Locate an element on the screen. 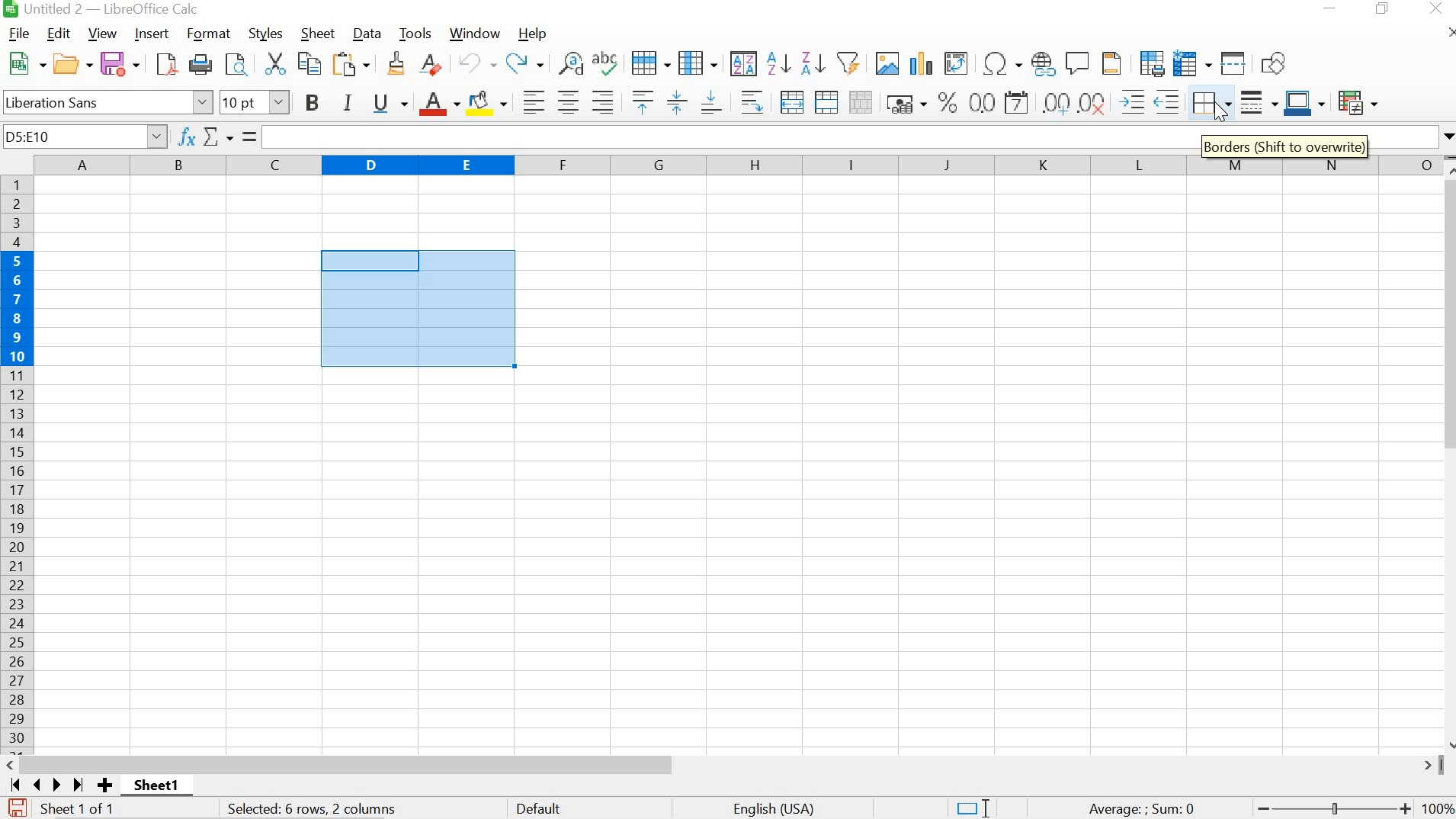 The height and width of the screenshot is (819, 1456). rows is located at coordinates (16, 465).